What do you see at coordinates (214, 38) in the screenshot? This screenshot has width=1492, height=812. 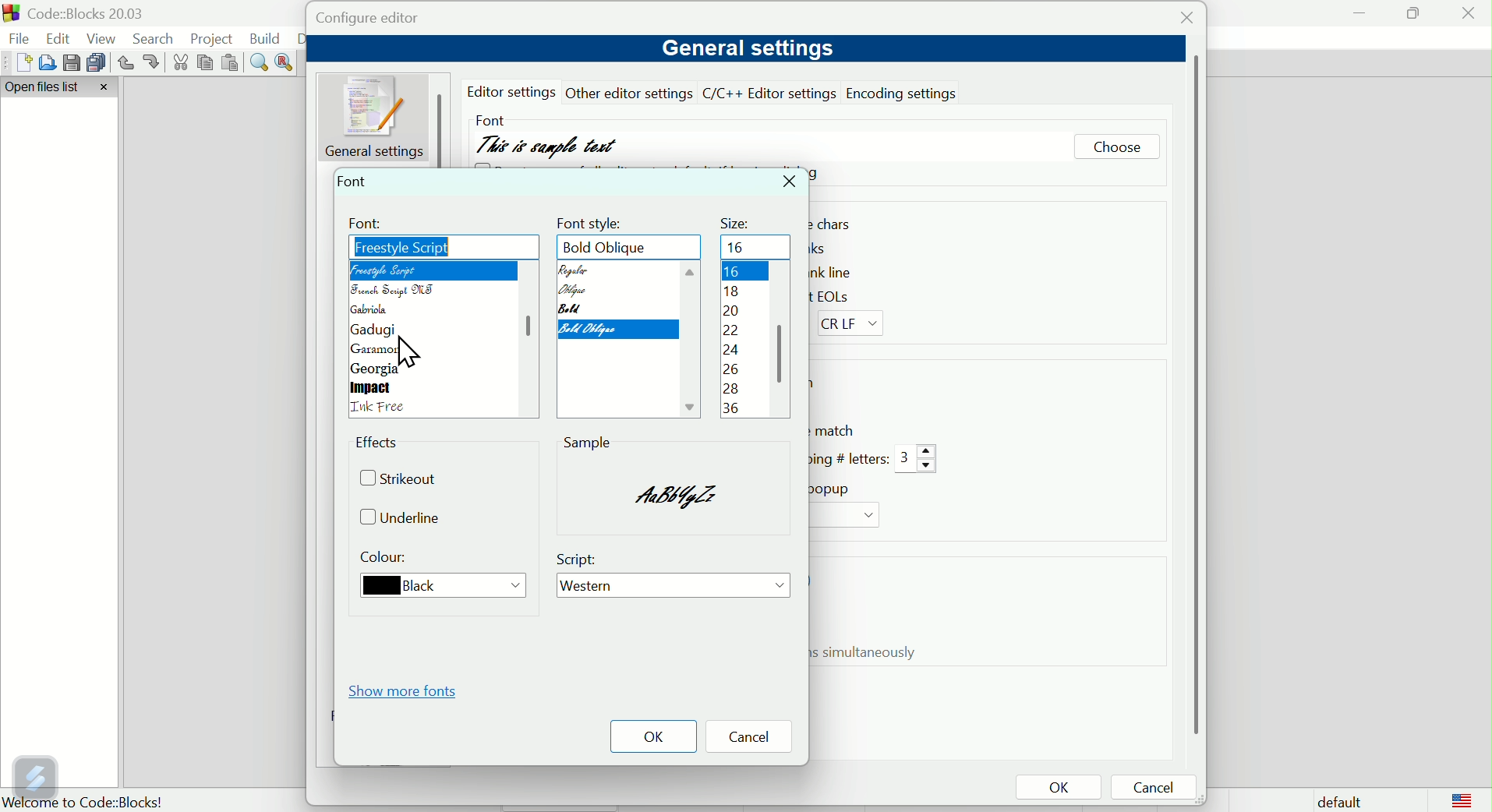 I see `Project` at bounding box center [214, 38].